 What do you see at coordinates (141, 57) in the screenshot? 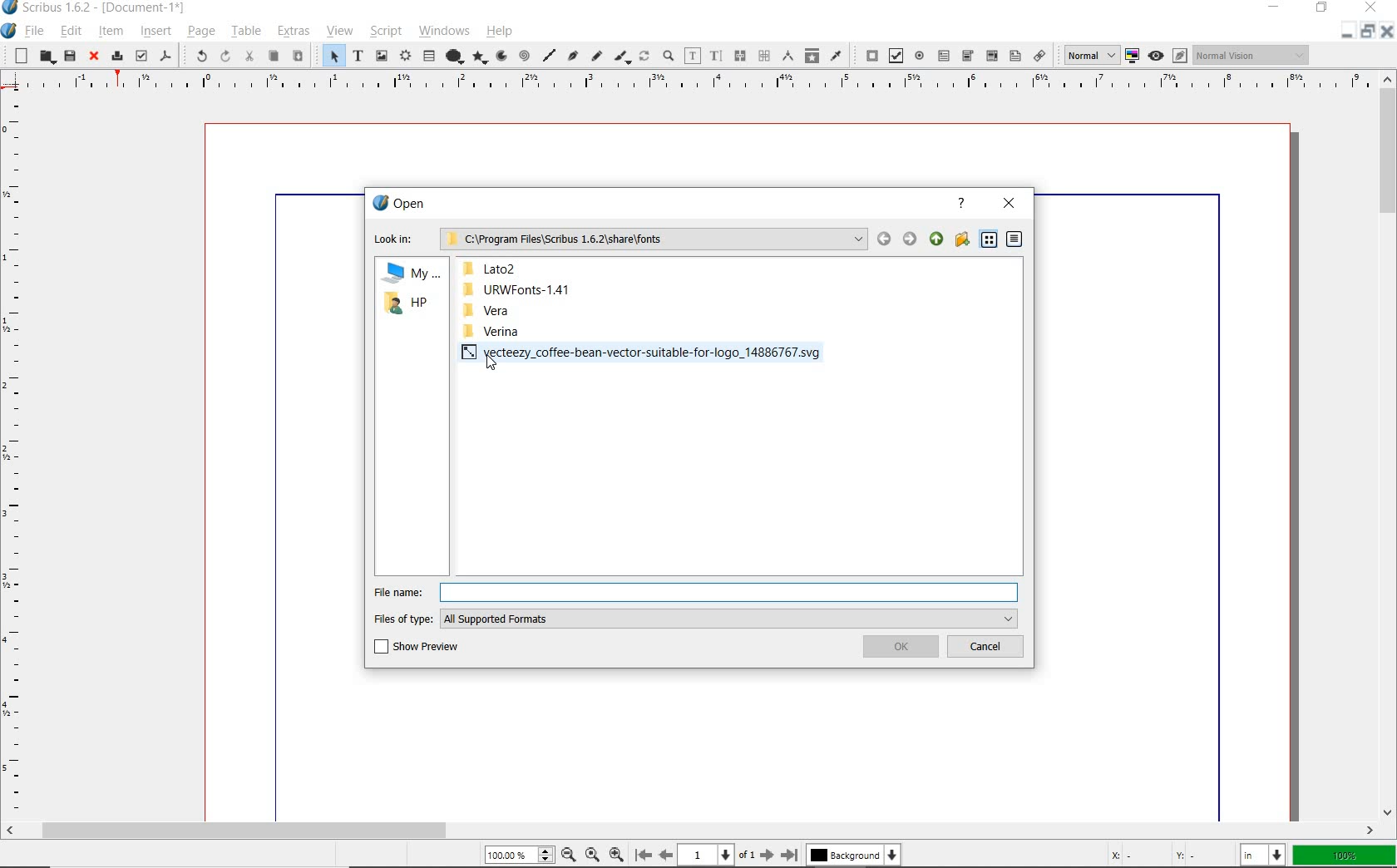
I see `preflight verifier` at bounding box center [141, 57].